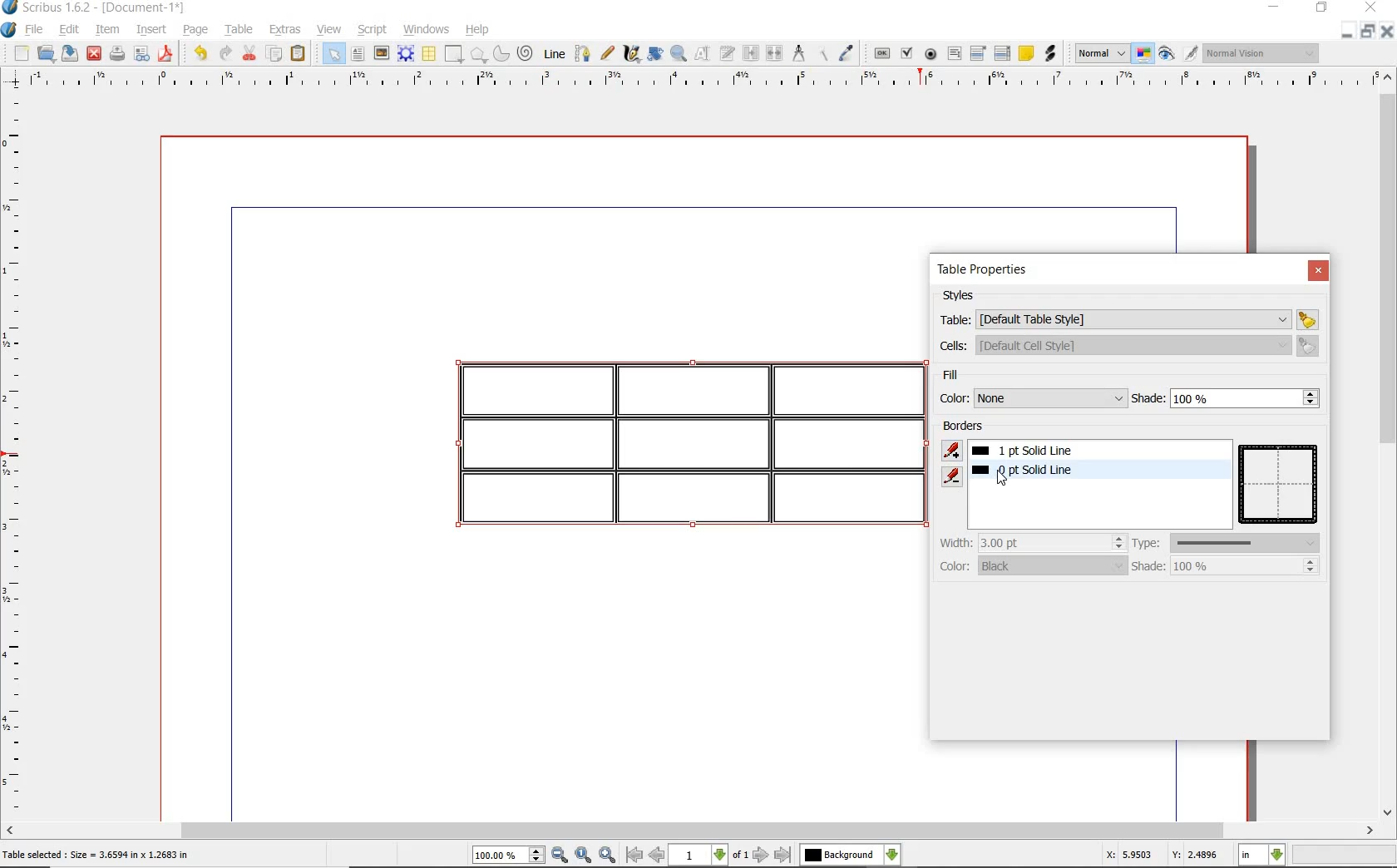 This screenshot has width=1397, height=868. I want to click on Cursor, so click(1002, 480).